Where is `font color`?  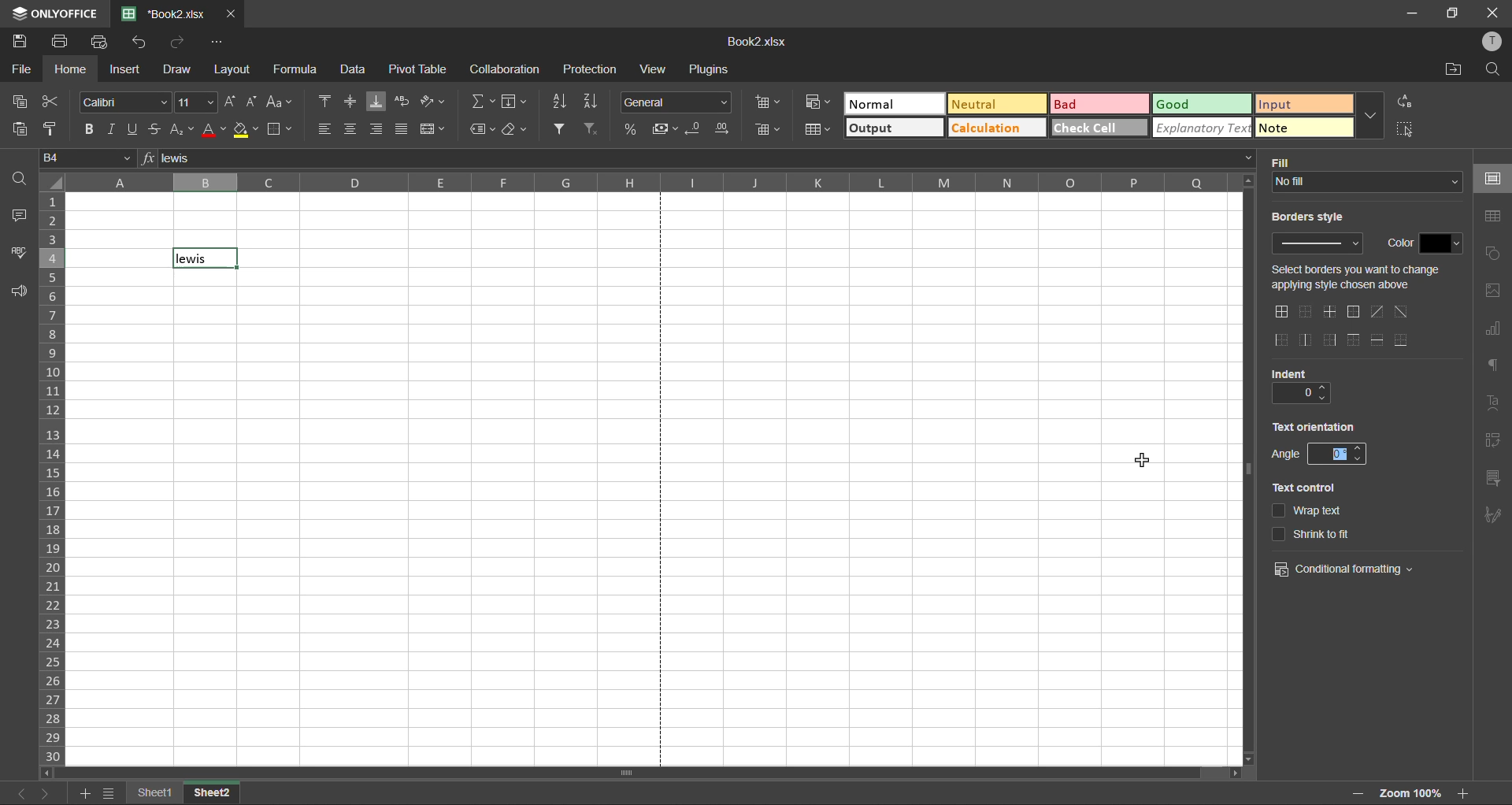 font color is located at coordinates (213, 132).